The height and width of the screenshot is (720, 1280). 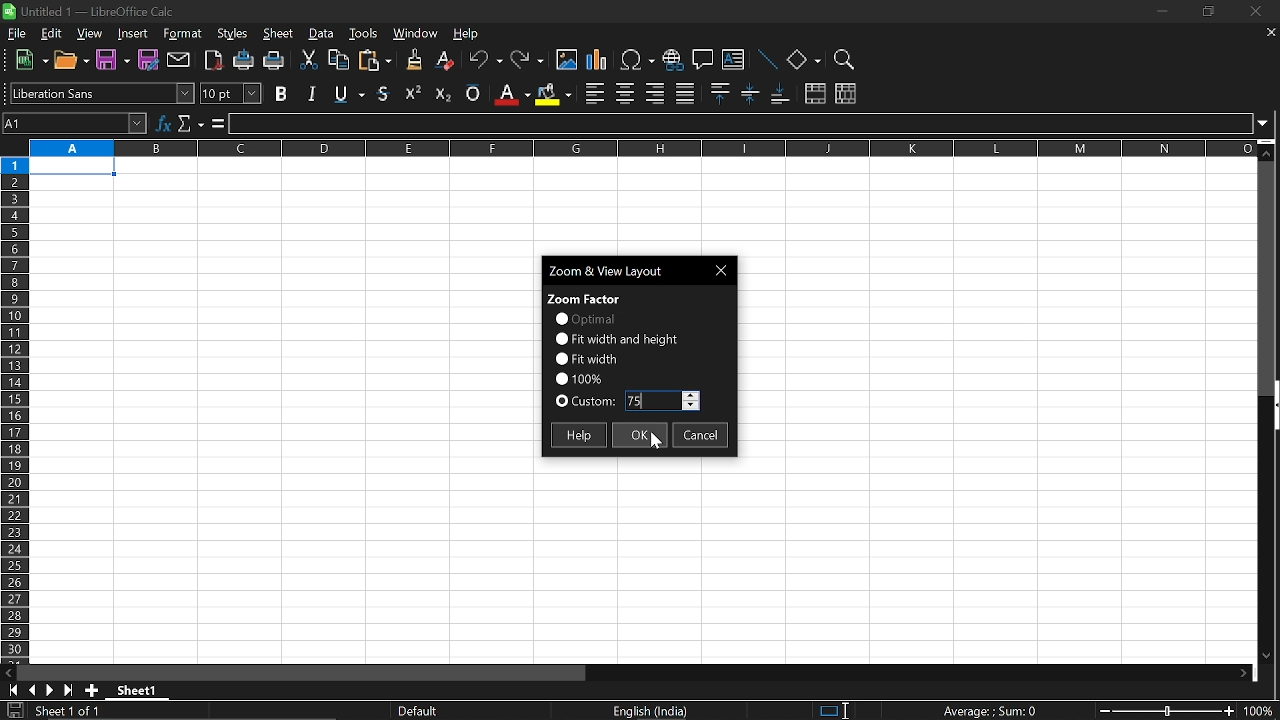 What do you see at coordinates (244, 62) in the screenshot?
I see `print directly` at bounding box center [244, 62].